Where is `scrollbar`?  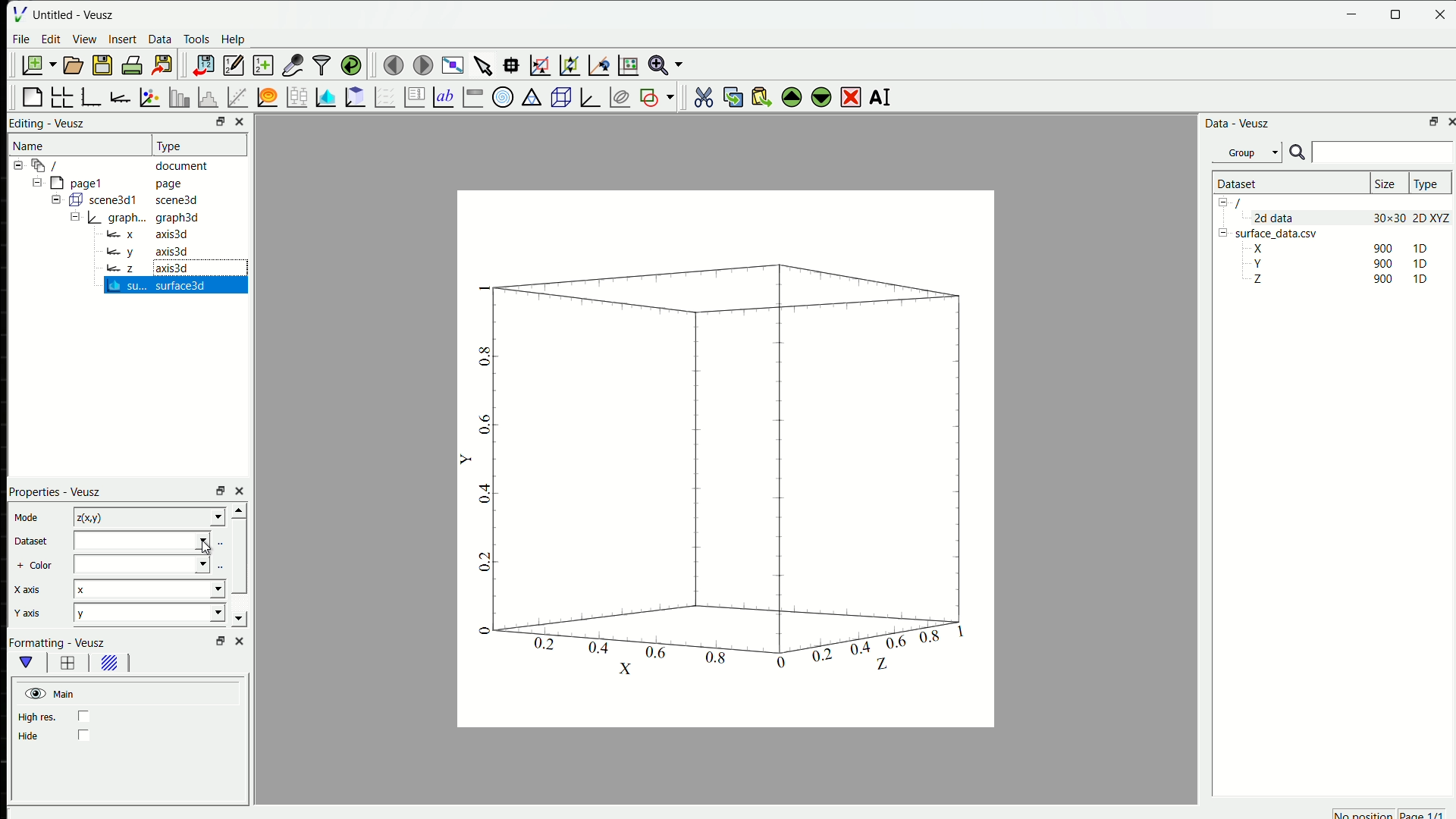 scrollbar is located at coordinates (241, 557).